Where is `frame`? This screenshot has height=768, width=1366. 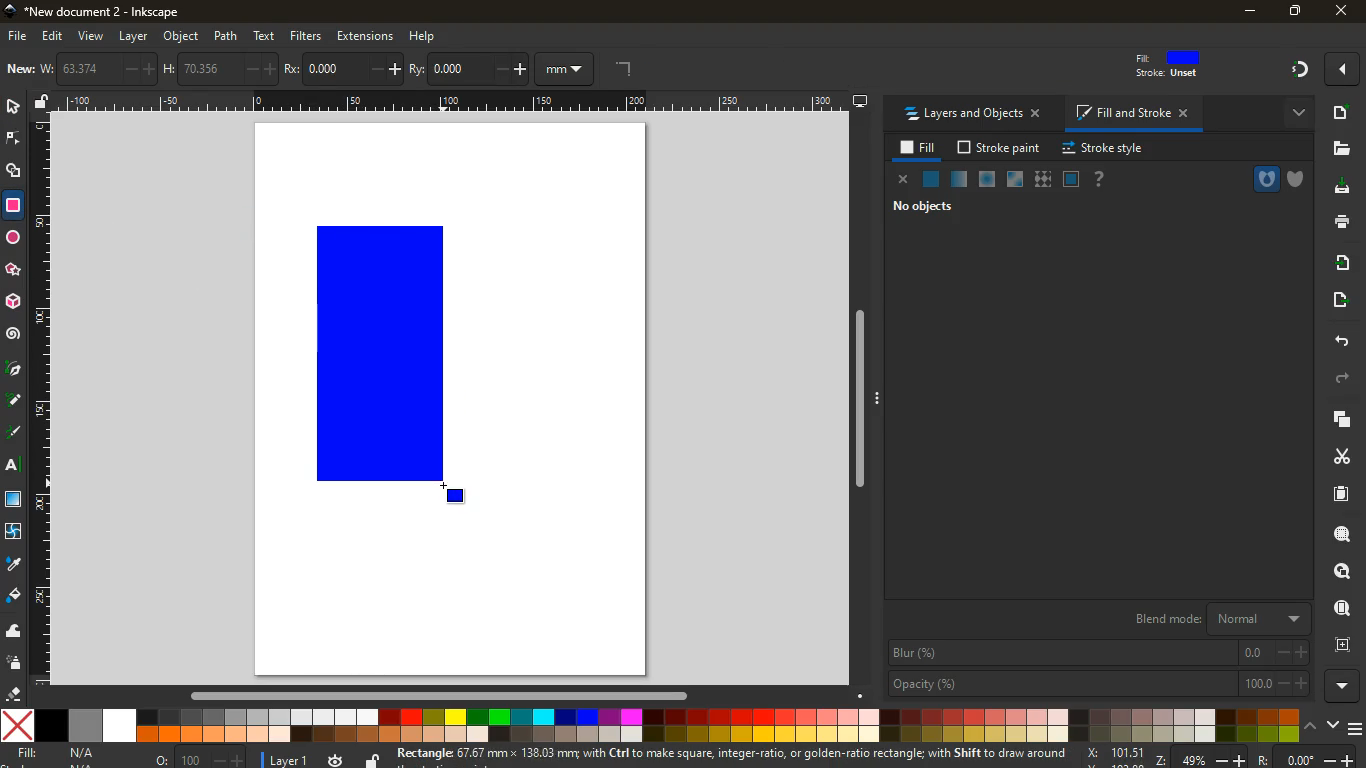 frame is located at coordinates (1344, 646).